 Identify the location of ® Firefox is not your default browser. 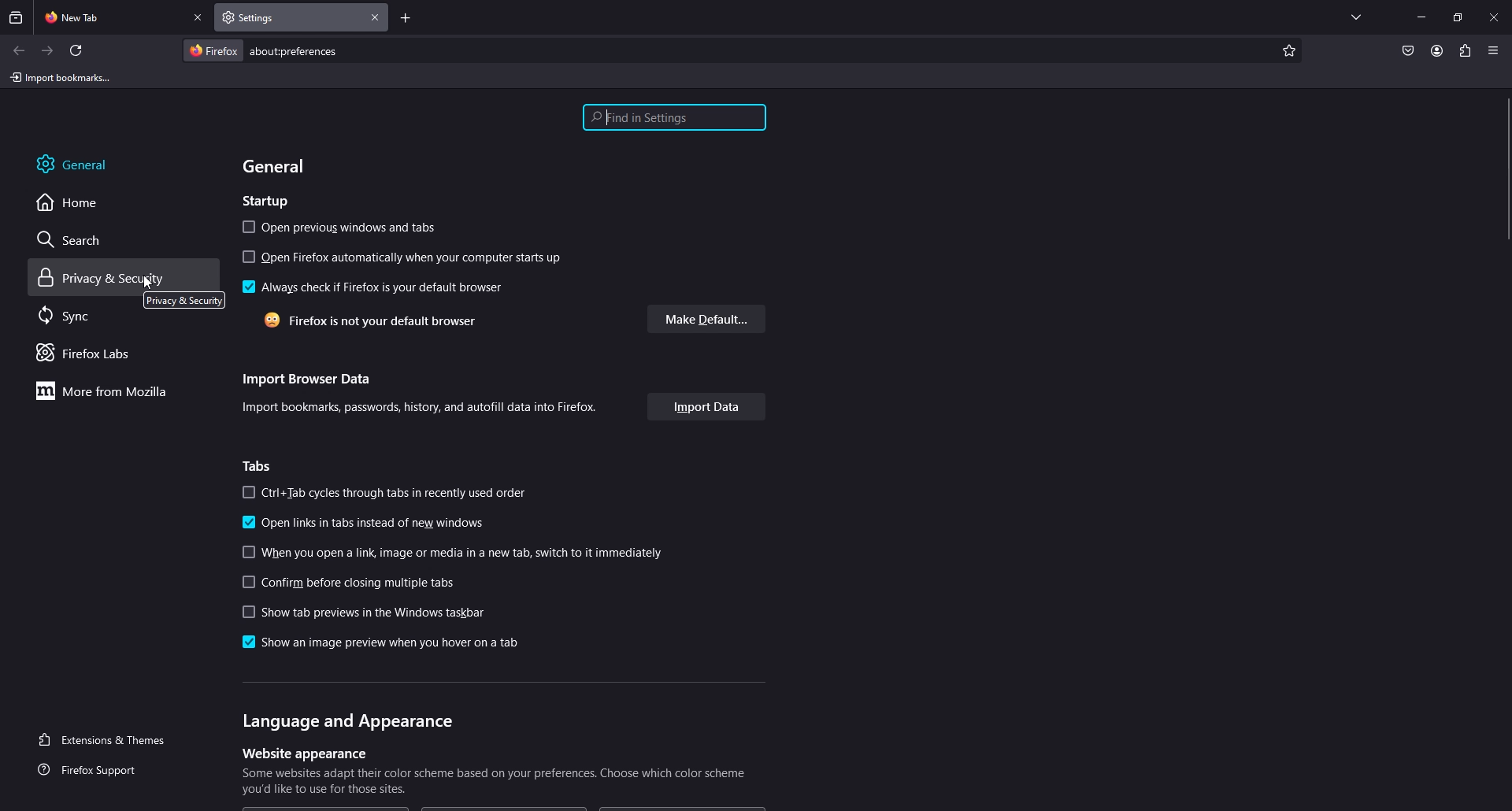
(358, 321).